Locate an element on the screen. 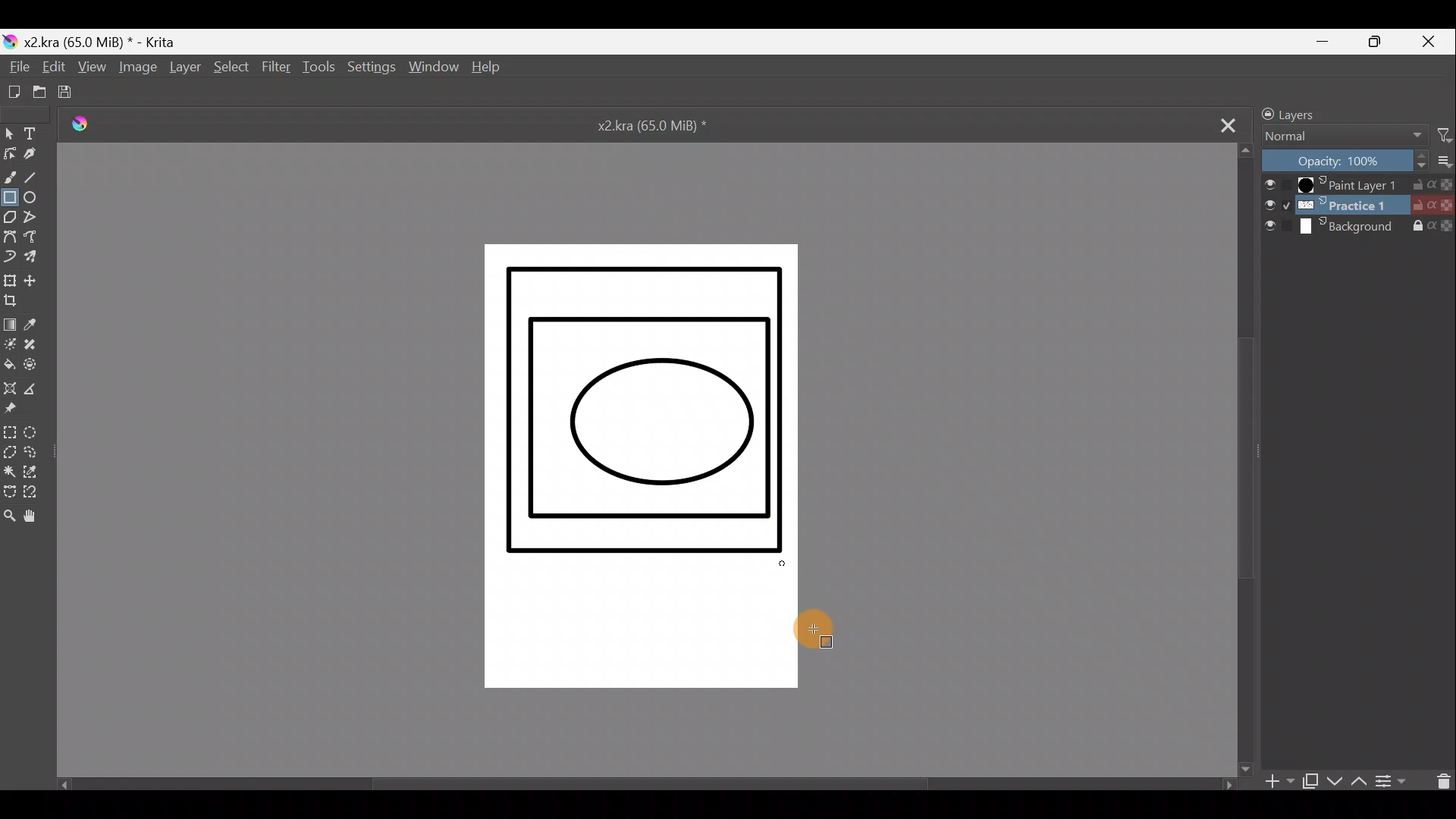 Image resolution: width=1456 pixels, height=819 pixels. Close is located at coordinates (1434, 40).